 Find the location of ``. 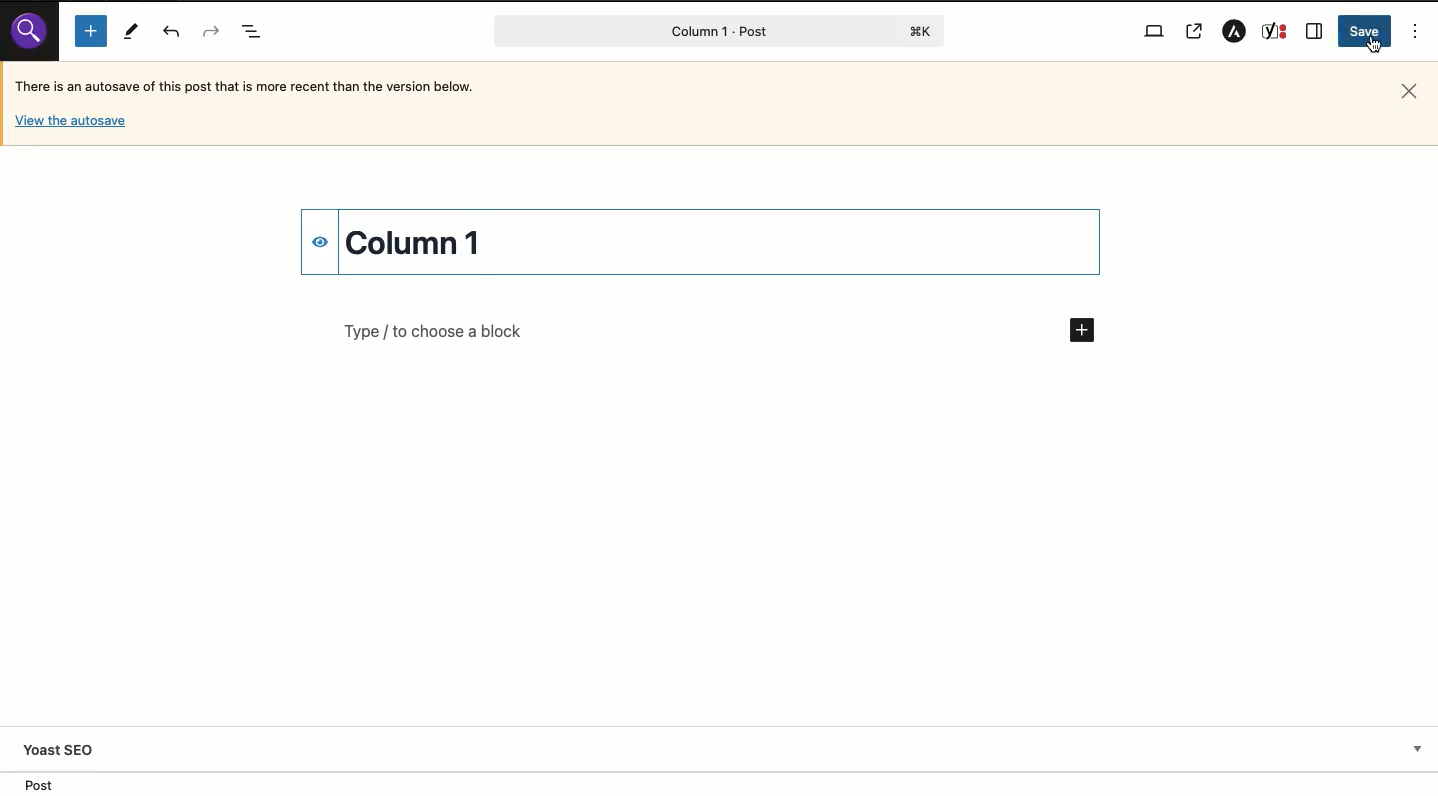

 is located at coordinates (30, 32).